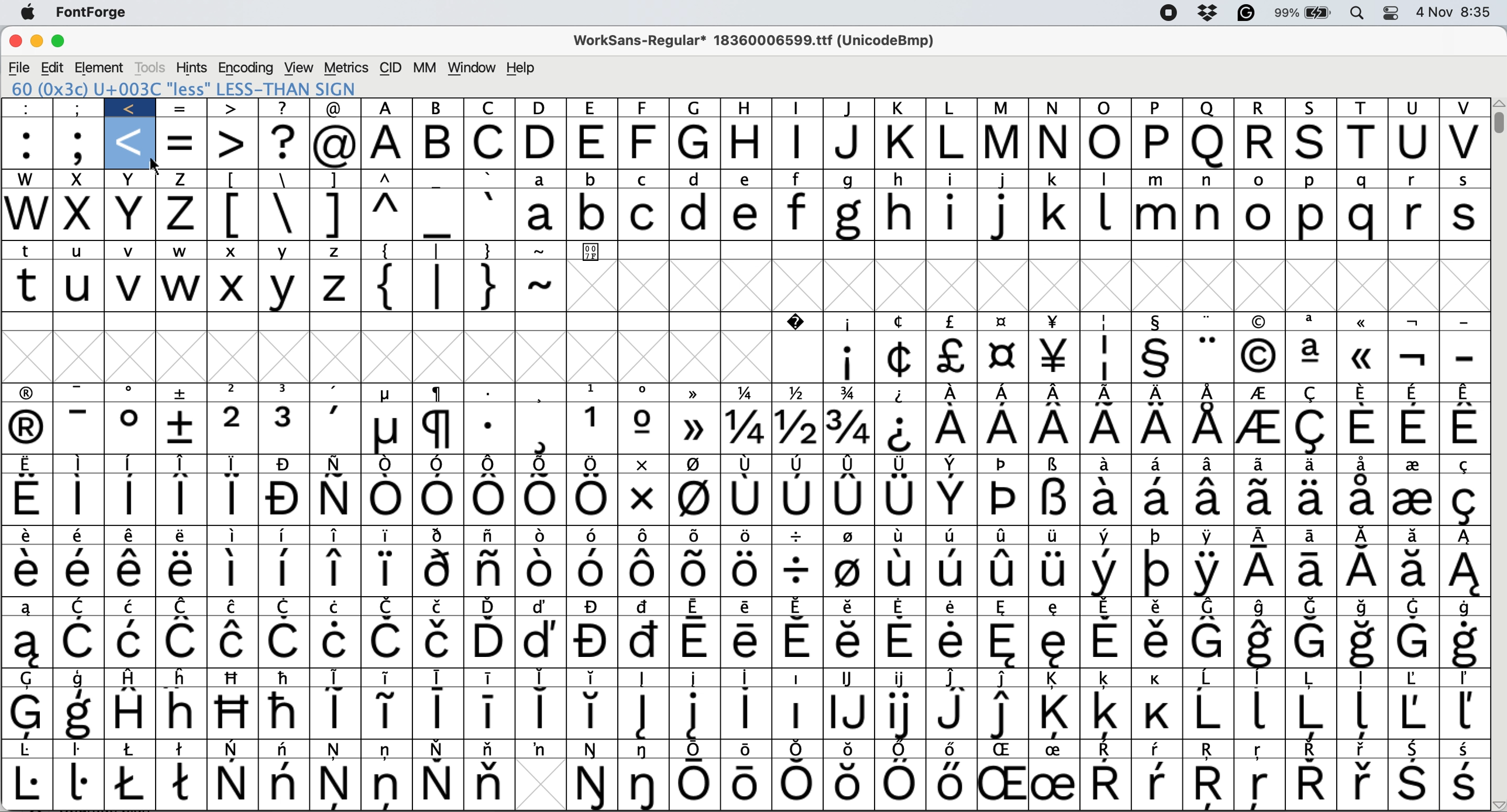  Describe the element at coordinates (697, 642) in the screenshot. I see `symbol` at that location.